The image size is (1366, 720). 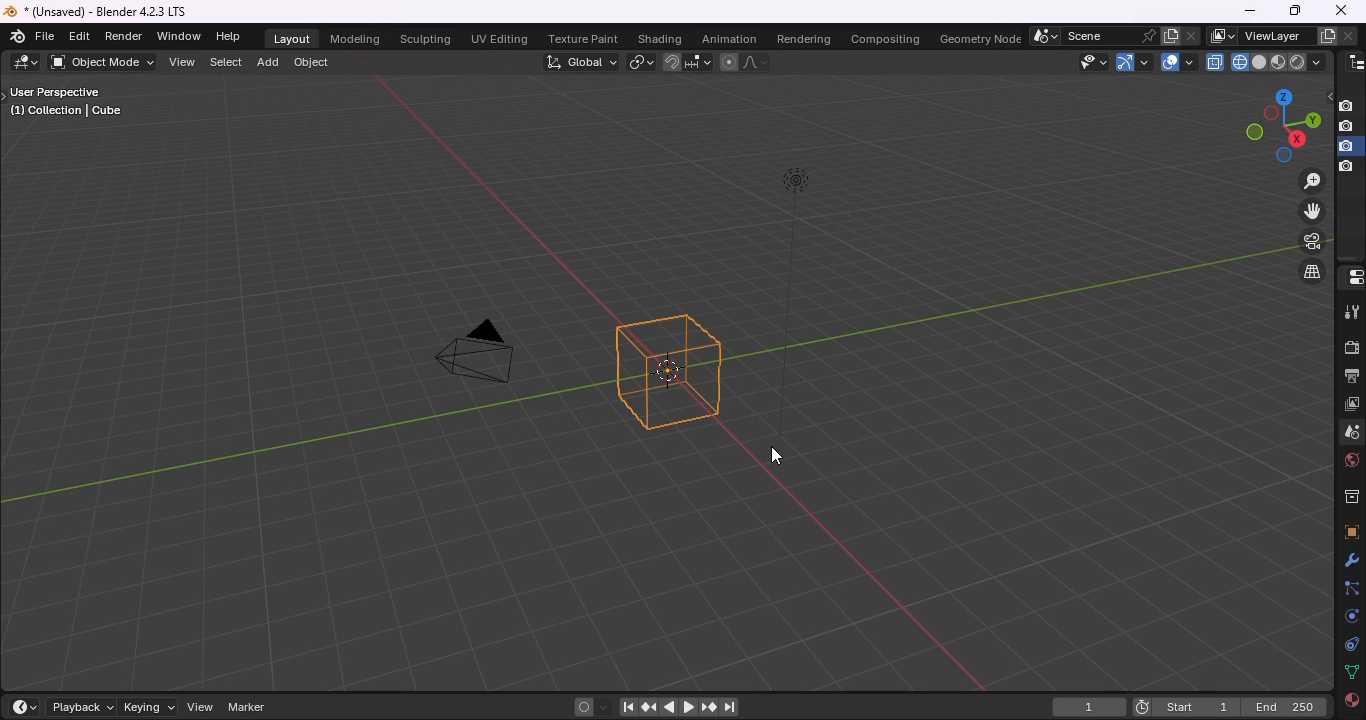 I want to click on zoom in-out, so click(x=1311, y=181).